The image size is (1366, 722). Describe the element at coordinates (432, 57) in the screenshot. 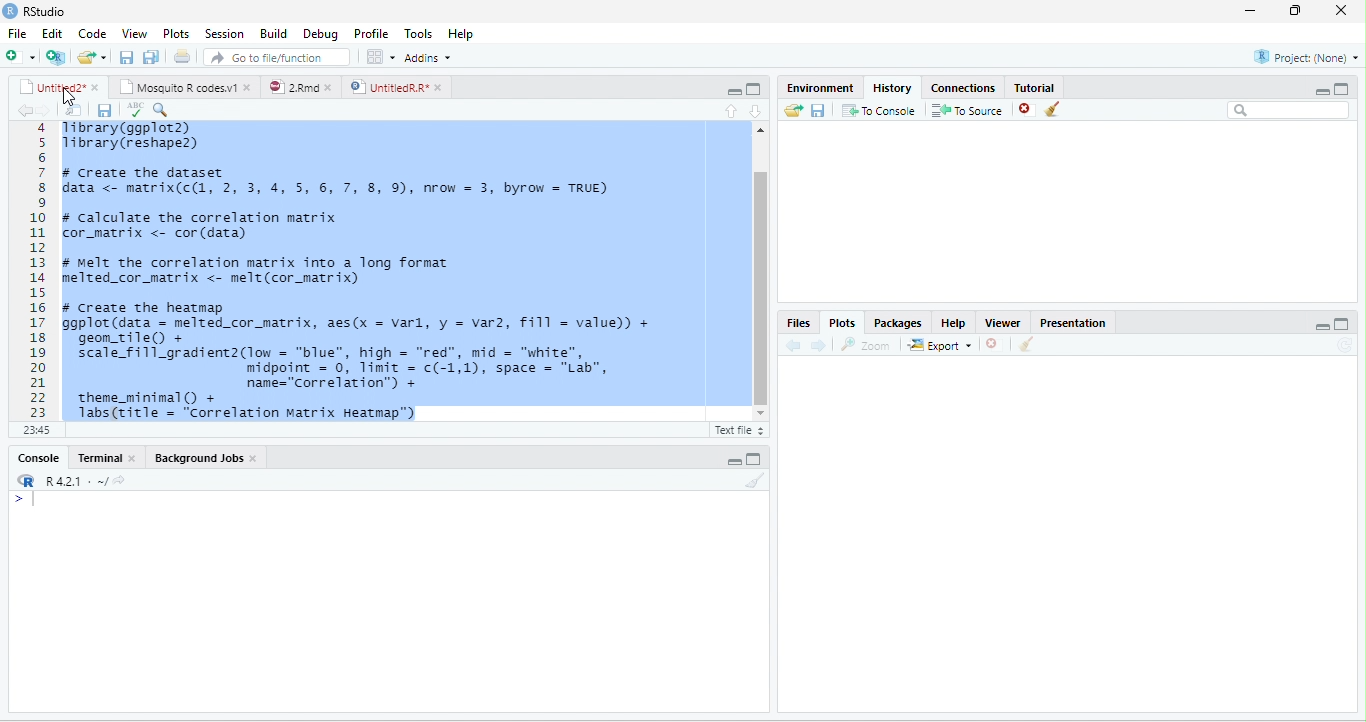

I see `addins` at that location.